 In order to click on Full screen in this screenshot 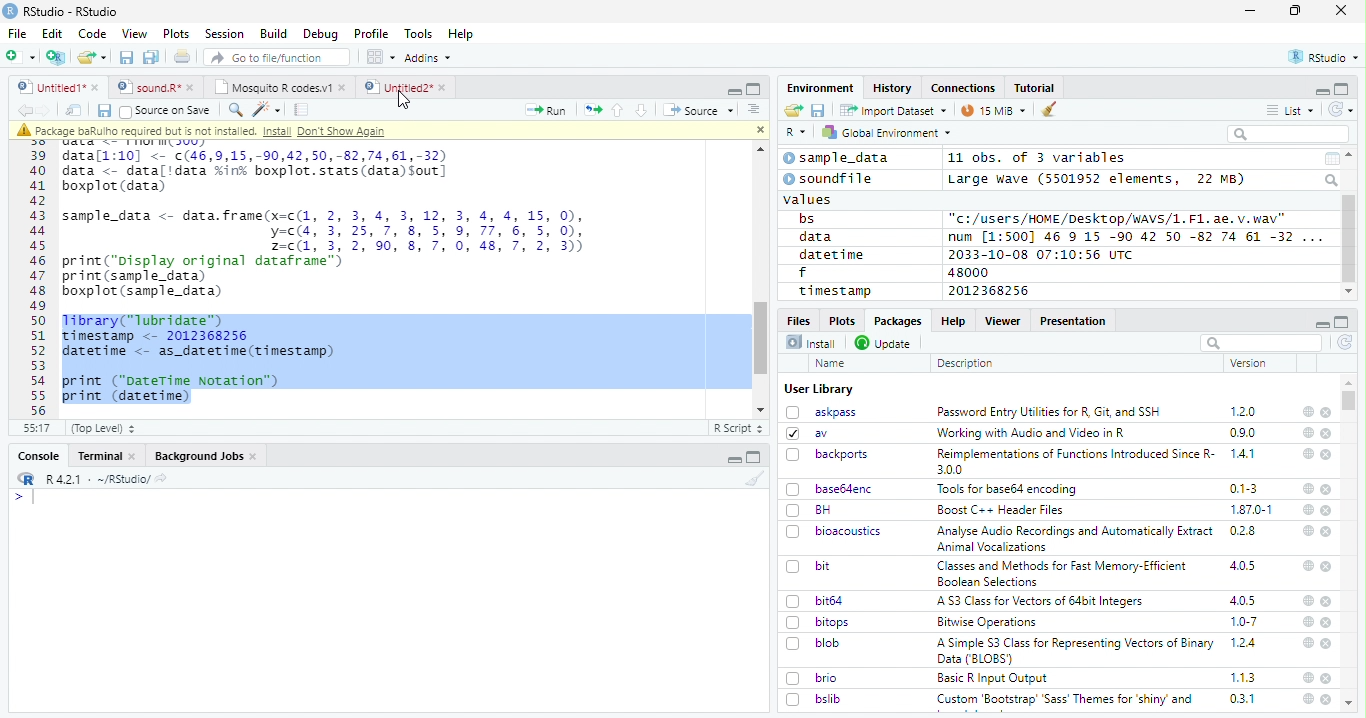, I will do `click(754, 88)`.